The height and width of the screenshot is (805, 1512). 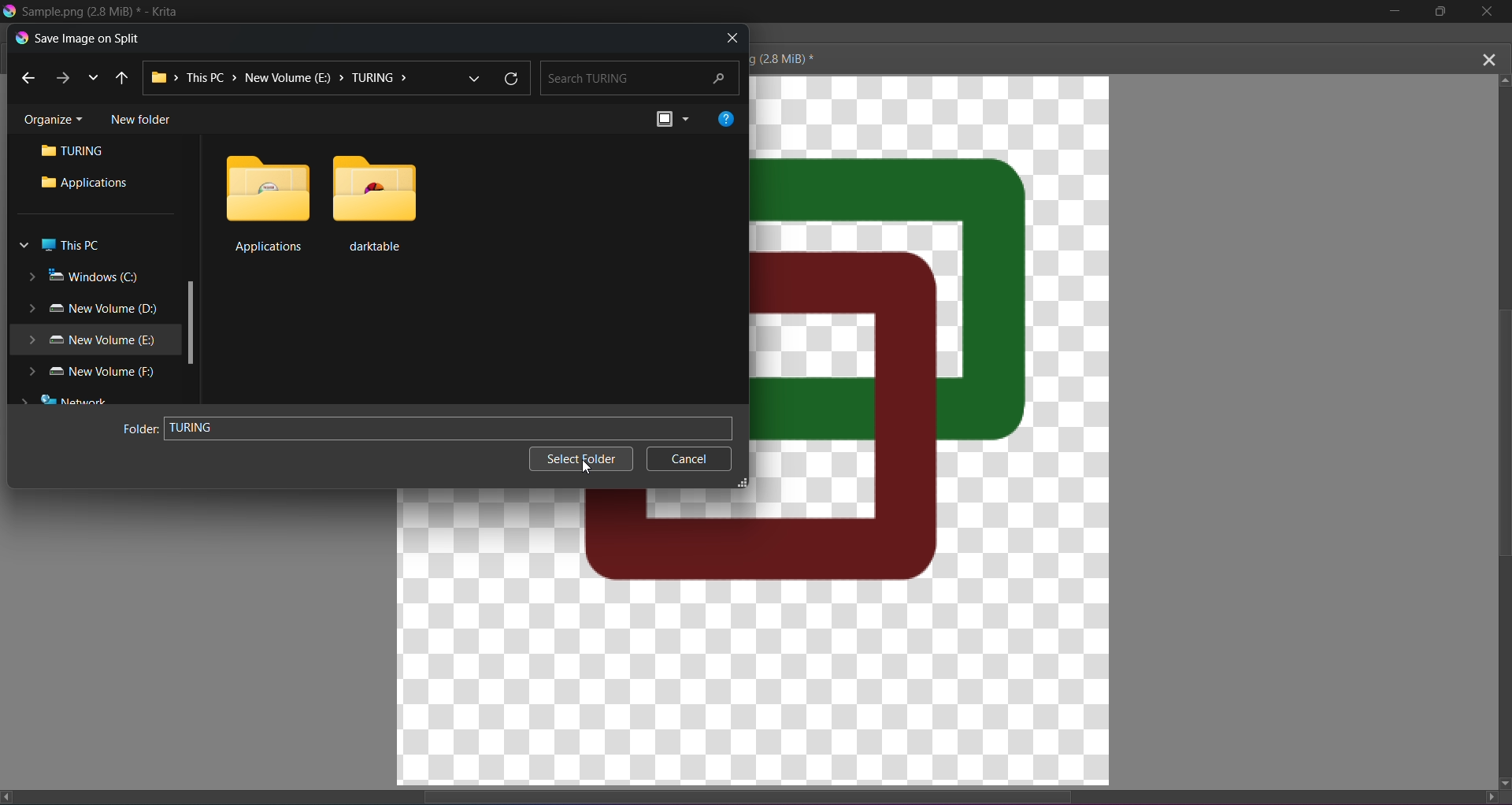 What do you see at coordinates (83, 276) in the screenshot?
I see `Windows` at bounding box center [83, 276].